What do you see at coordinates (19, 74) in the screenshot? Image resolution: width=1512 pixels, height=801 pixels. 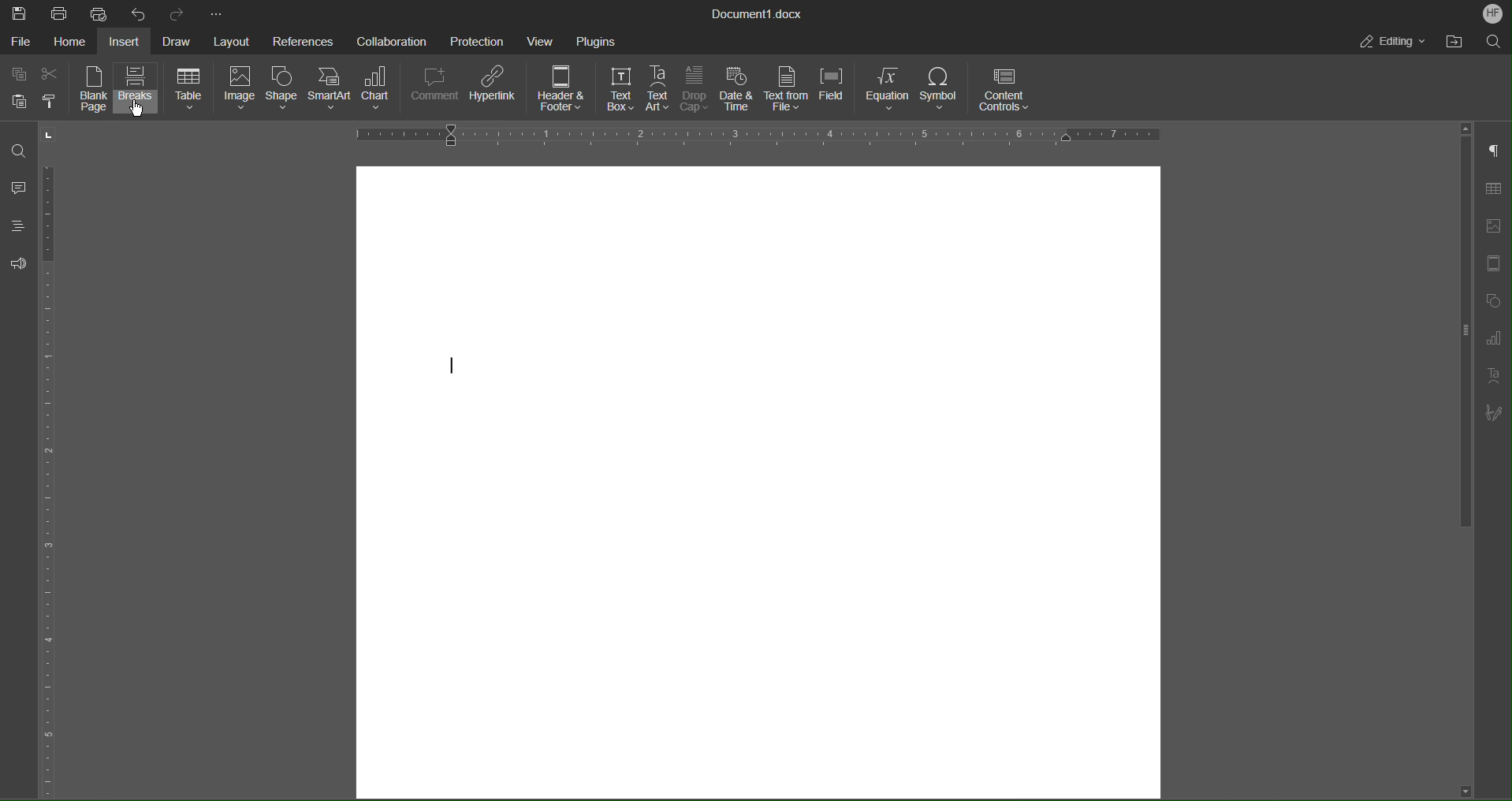 I see `Copy` at bounding box center [19, 74].